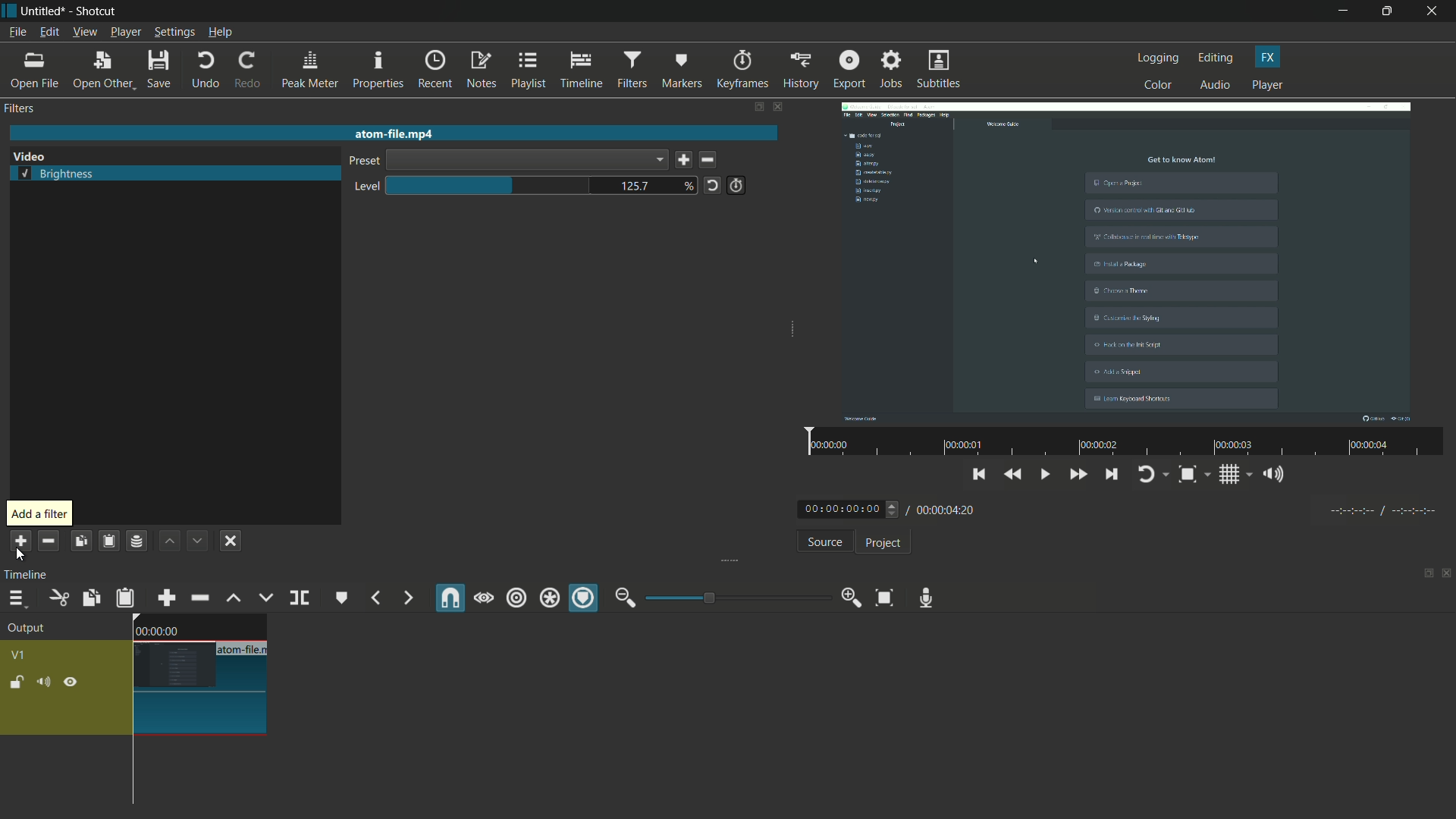  What do you see at coordinates (375, 598) in the screenshot?
I see `previous marker` at bounding box center [375, 598].